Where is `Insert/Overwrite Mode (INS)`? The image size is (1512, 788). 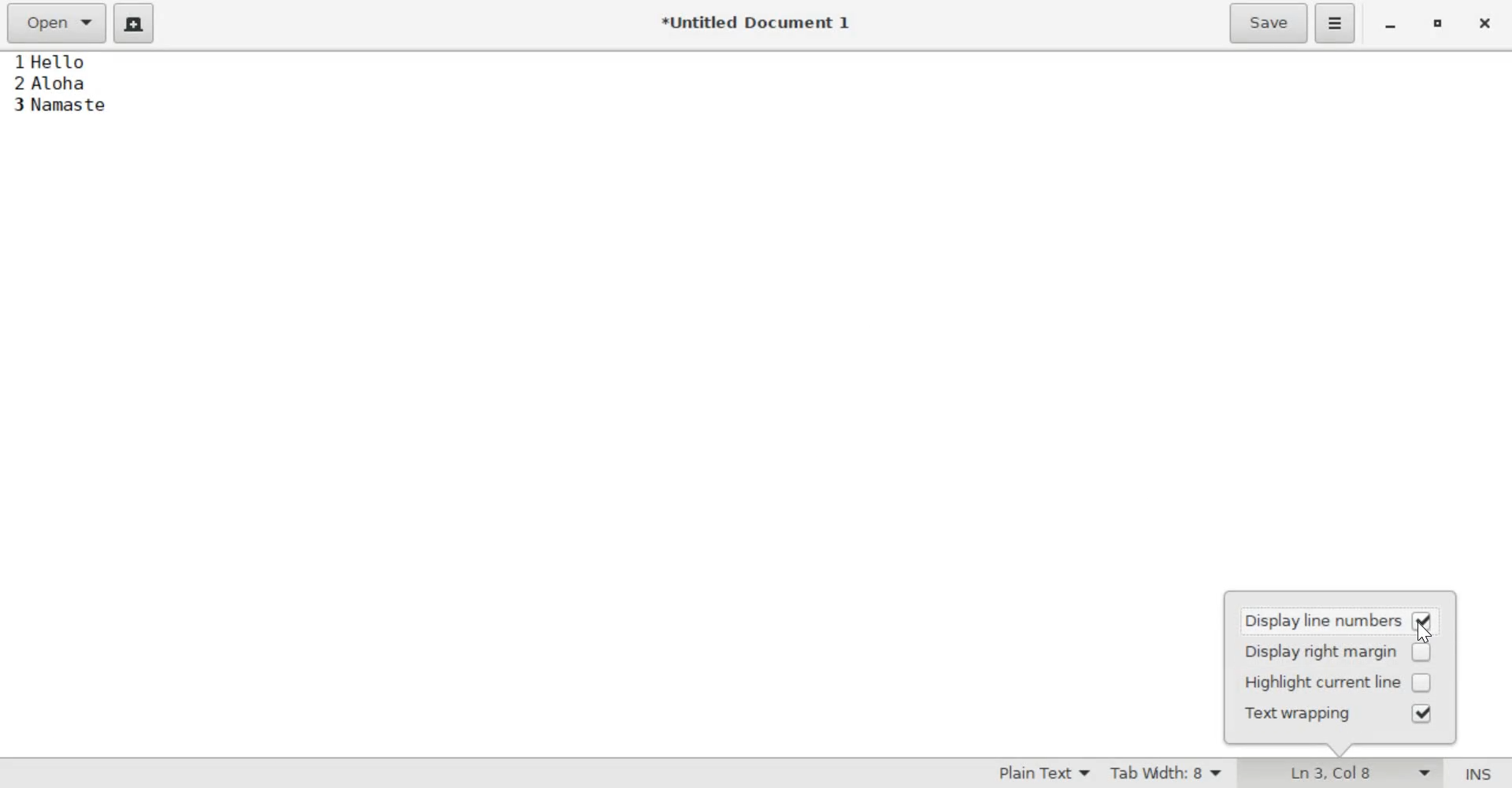 Insert/Overwrite Mode (INS) is located at coordinates (1482, 773).